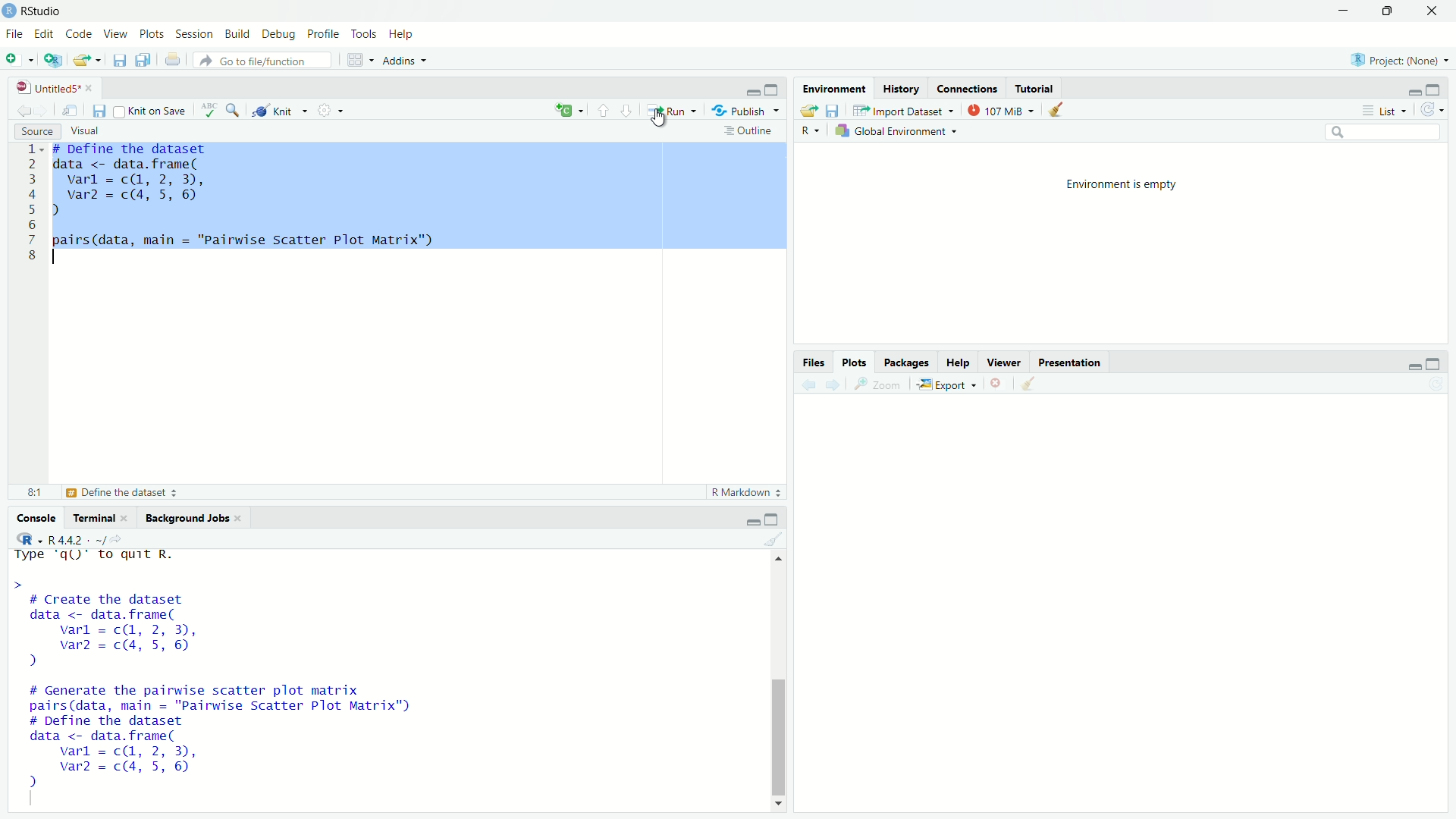 The width and height of the screenshot is (1456, 819). Describe the element at coordinates (262, 59) in the screenshot. I see `Go to file/function` at that location.